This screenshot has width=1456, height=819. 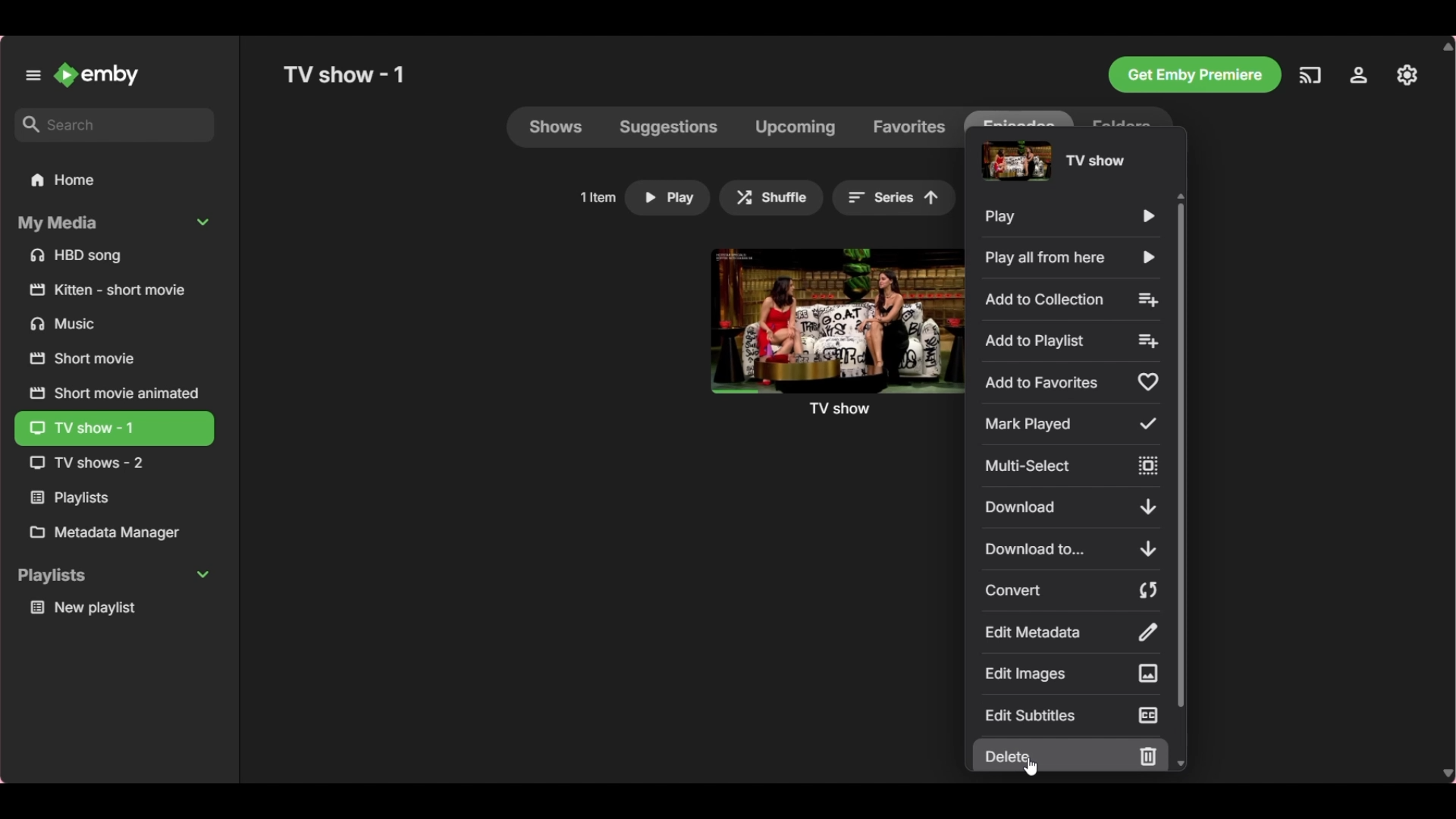 I want to click on TV show, so click(x=111, y=463).